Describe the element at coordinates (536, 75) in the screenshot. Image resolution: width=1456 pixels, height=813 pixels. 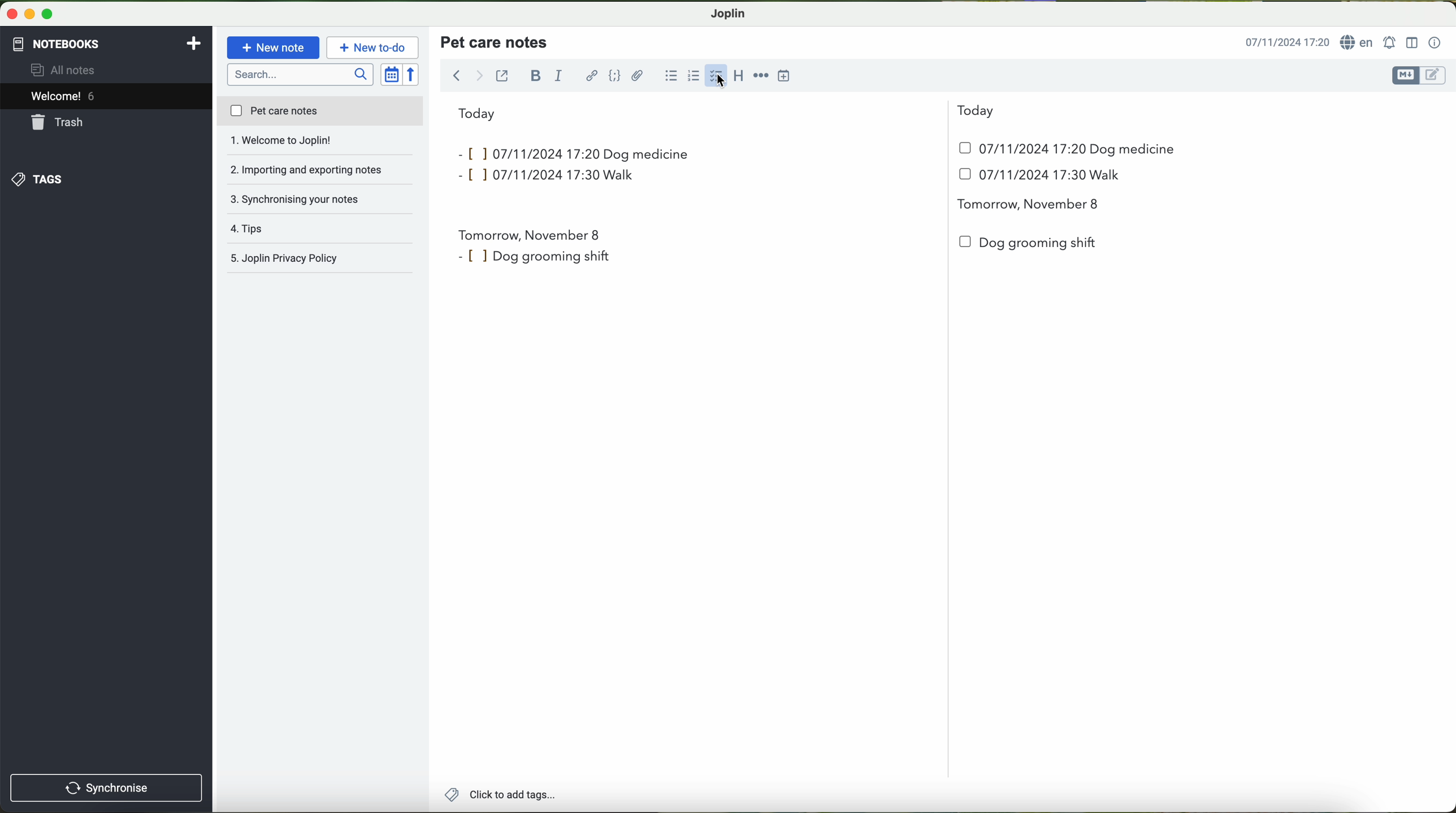
I see `bold` at that location.